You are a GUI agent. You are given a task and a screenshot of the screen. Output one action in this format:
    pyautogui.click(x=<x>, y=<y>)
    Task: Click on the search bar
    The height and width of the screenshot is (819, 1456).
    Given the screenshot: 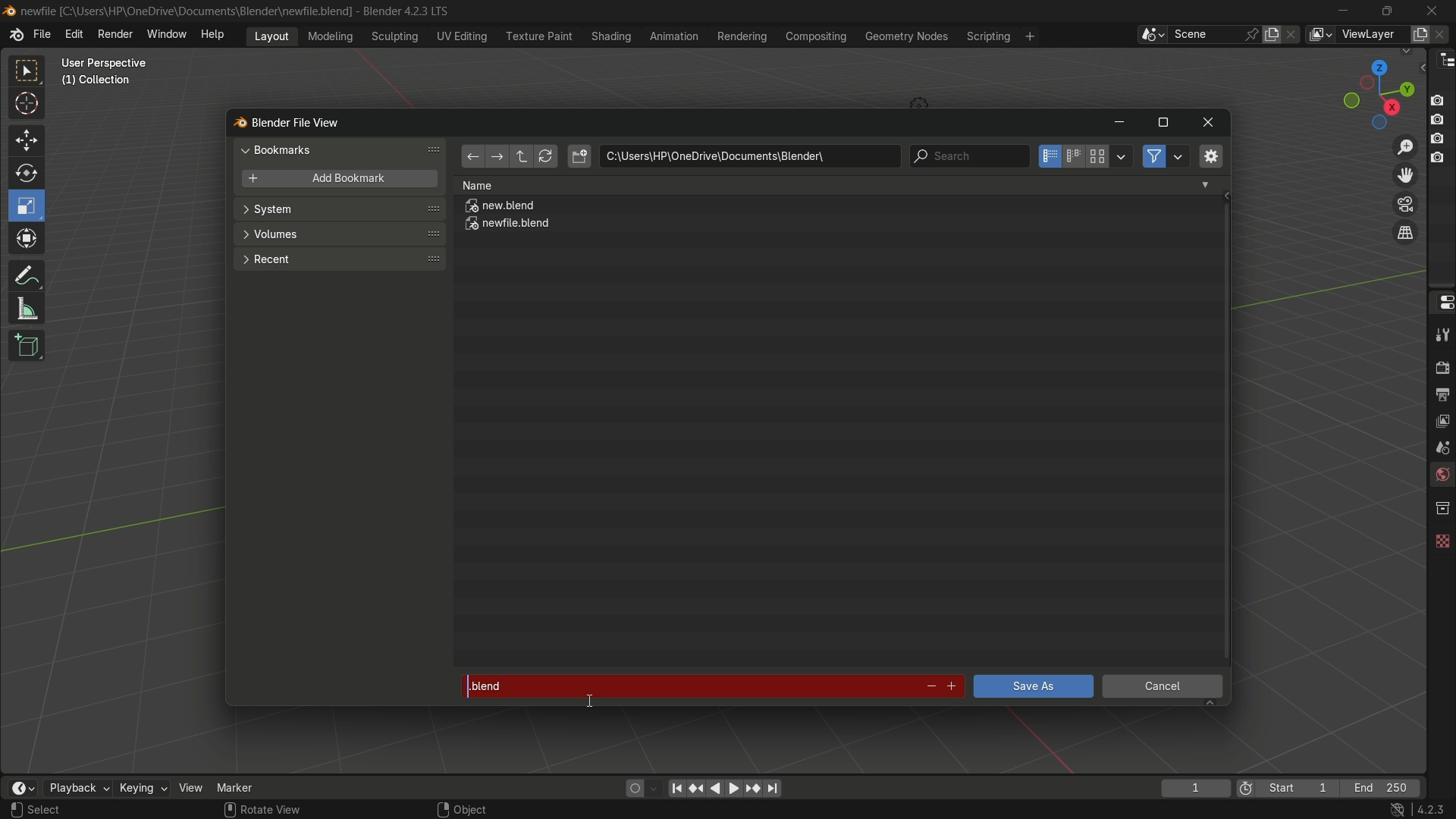 What is the action you would take?
    pyautogui.click(x=968, y=156)
    